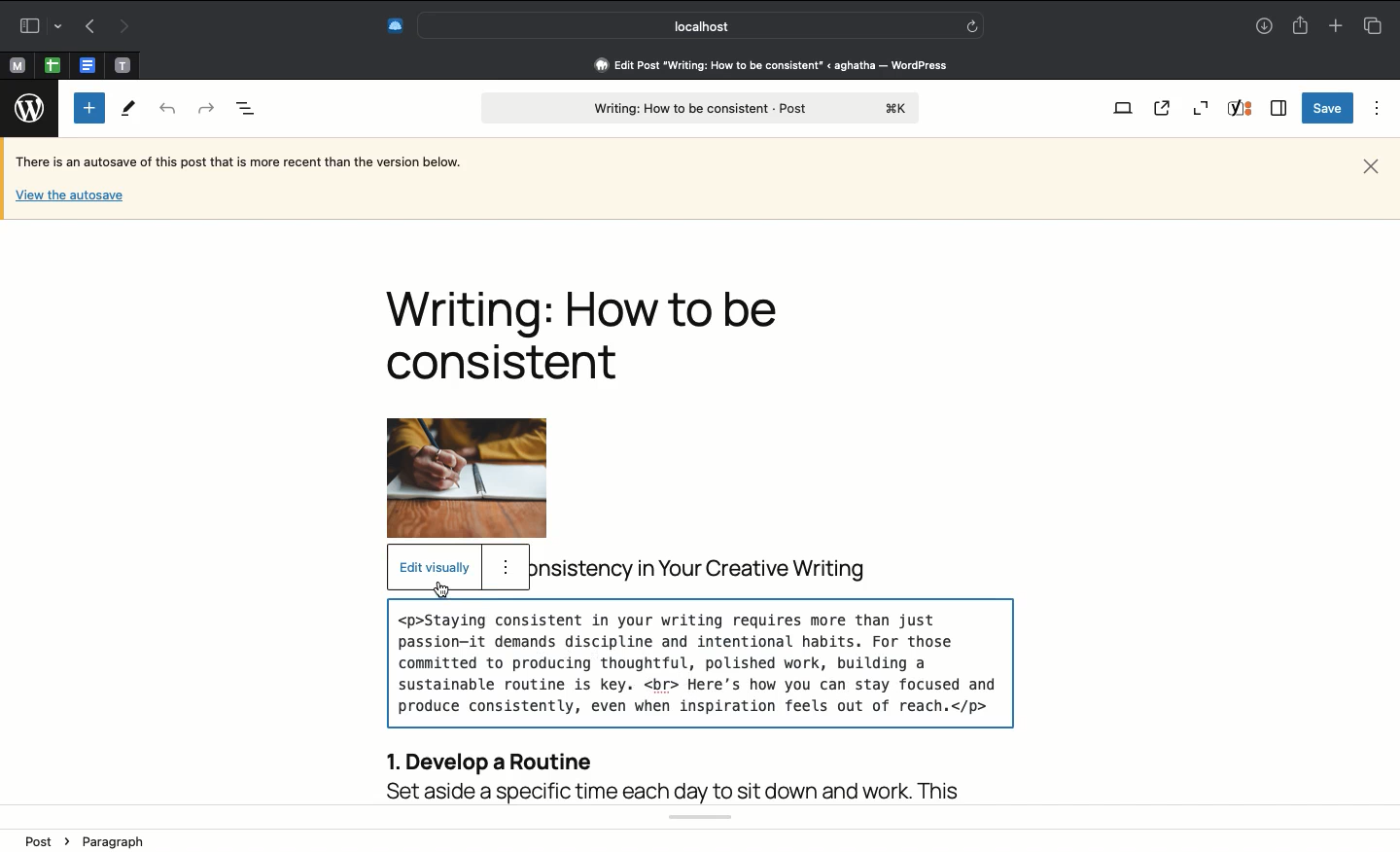 The width and height of the screenshot is (1400, 852). What do you see at coordinates (1166, 109) in the screenshot?
I see `View post` at bounding box center [1166, 109].